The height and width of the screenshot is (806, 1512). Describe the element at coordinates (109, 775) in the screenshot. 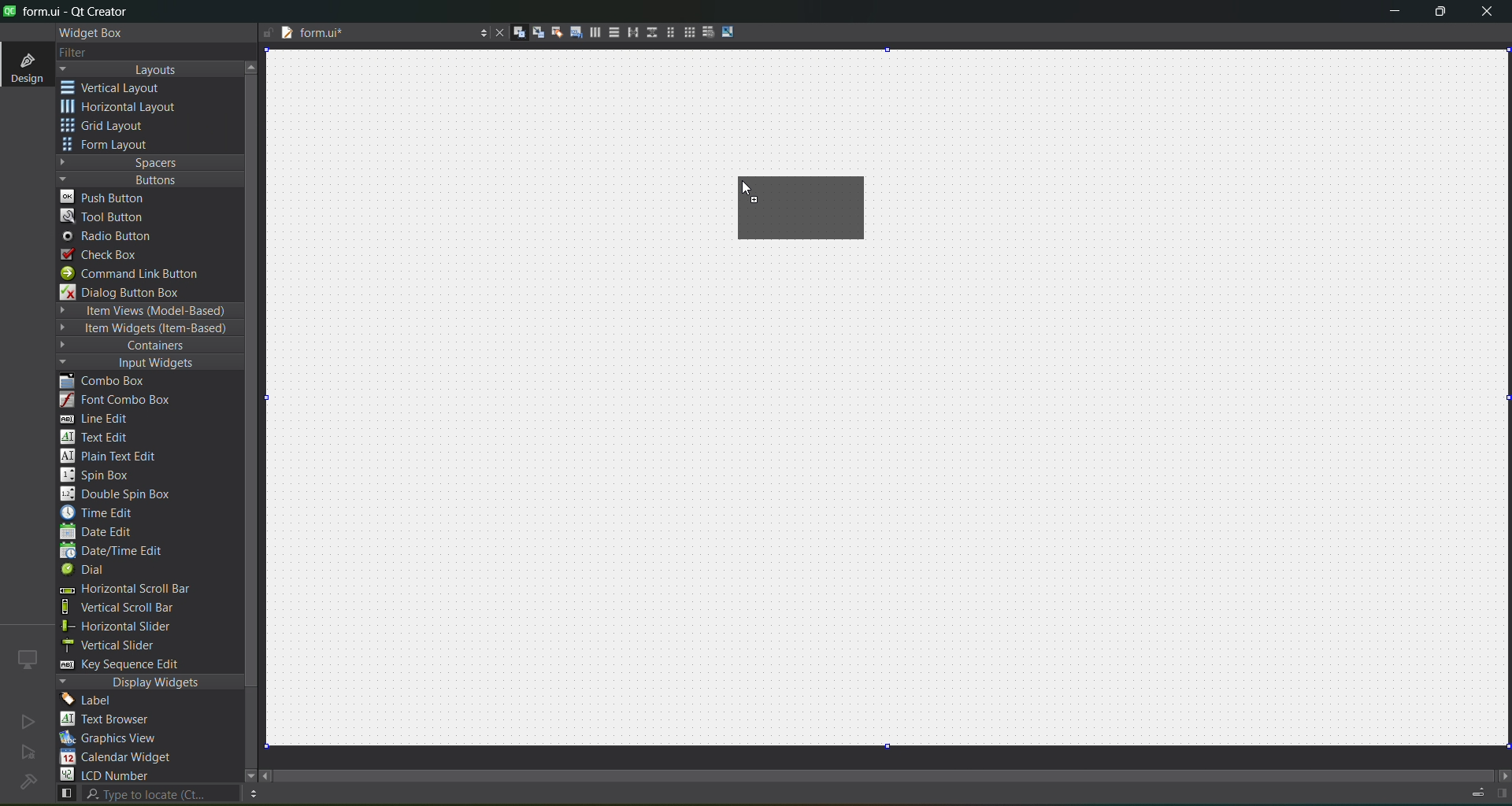

I see `lcd number` at that location.